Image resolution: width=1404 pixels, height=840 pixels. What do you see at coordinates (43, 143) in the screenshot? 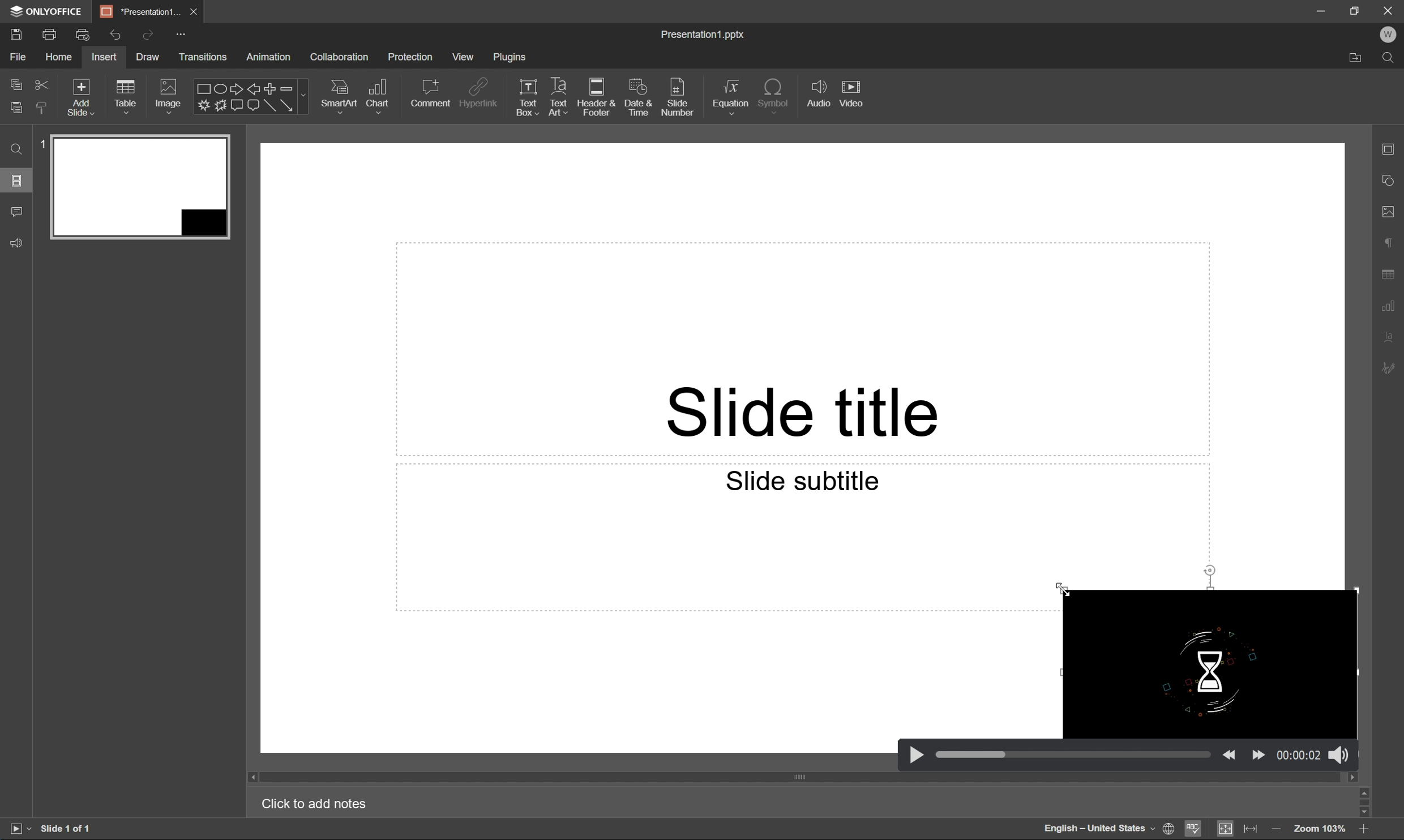
I see `1` at bounding box center [43, 143].